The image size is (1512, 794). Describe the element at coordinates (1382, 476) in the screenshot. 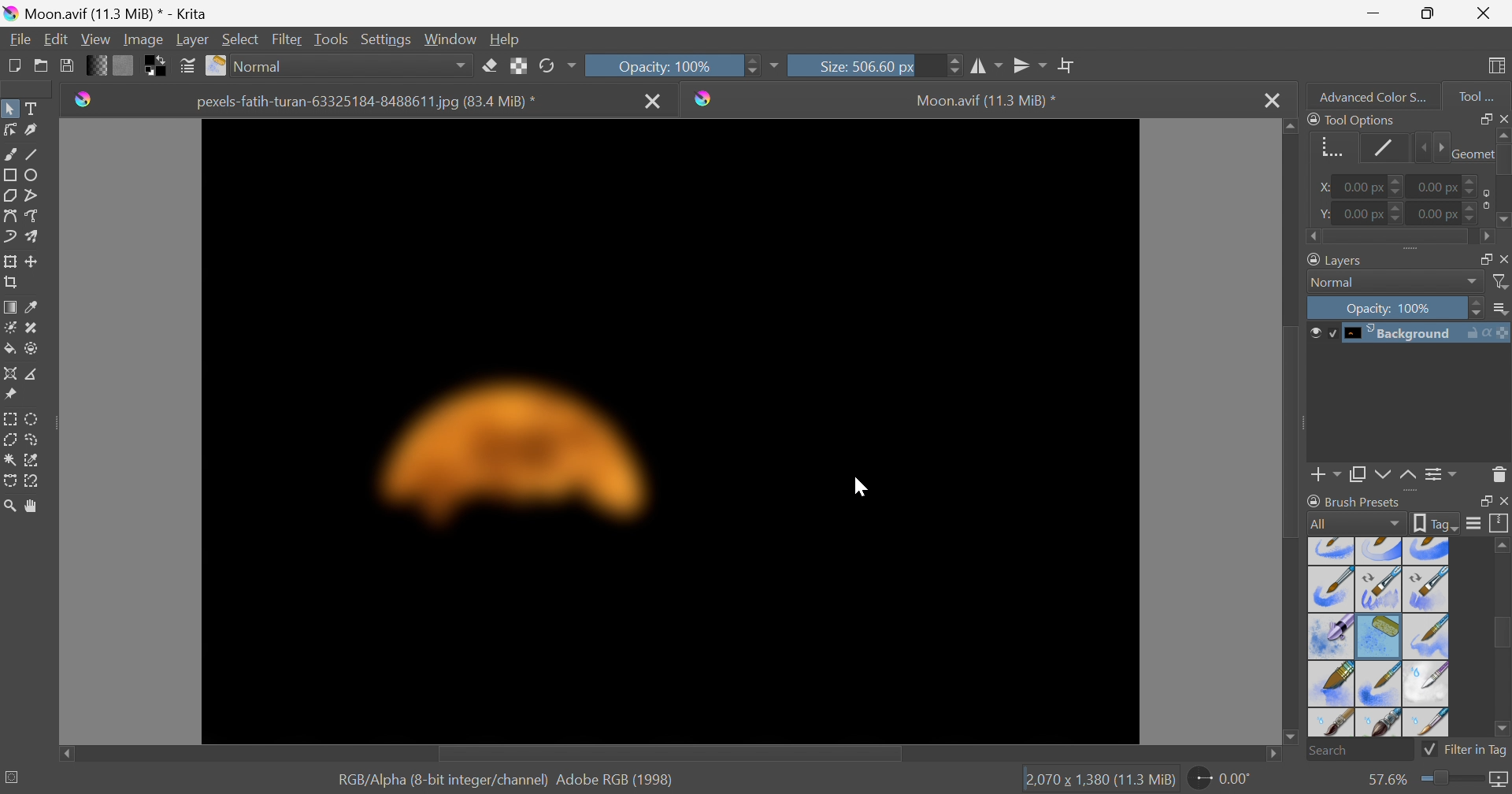

I see `Move layer or mask down` at that location.